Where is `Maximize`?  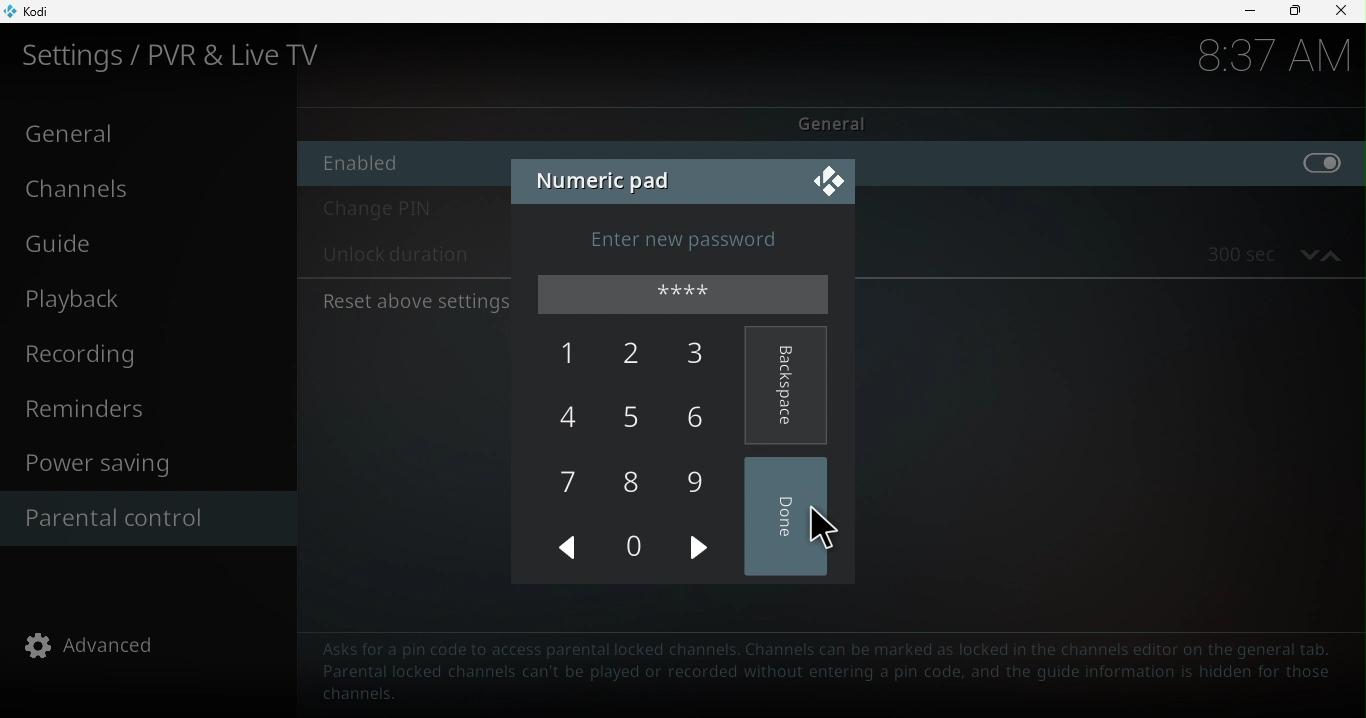
Maximize is located at coordinates (1294, 11).